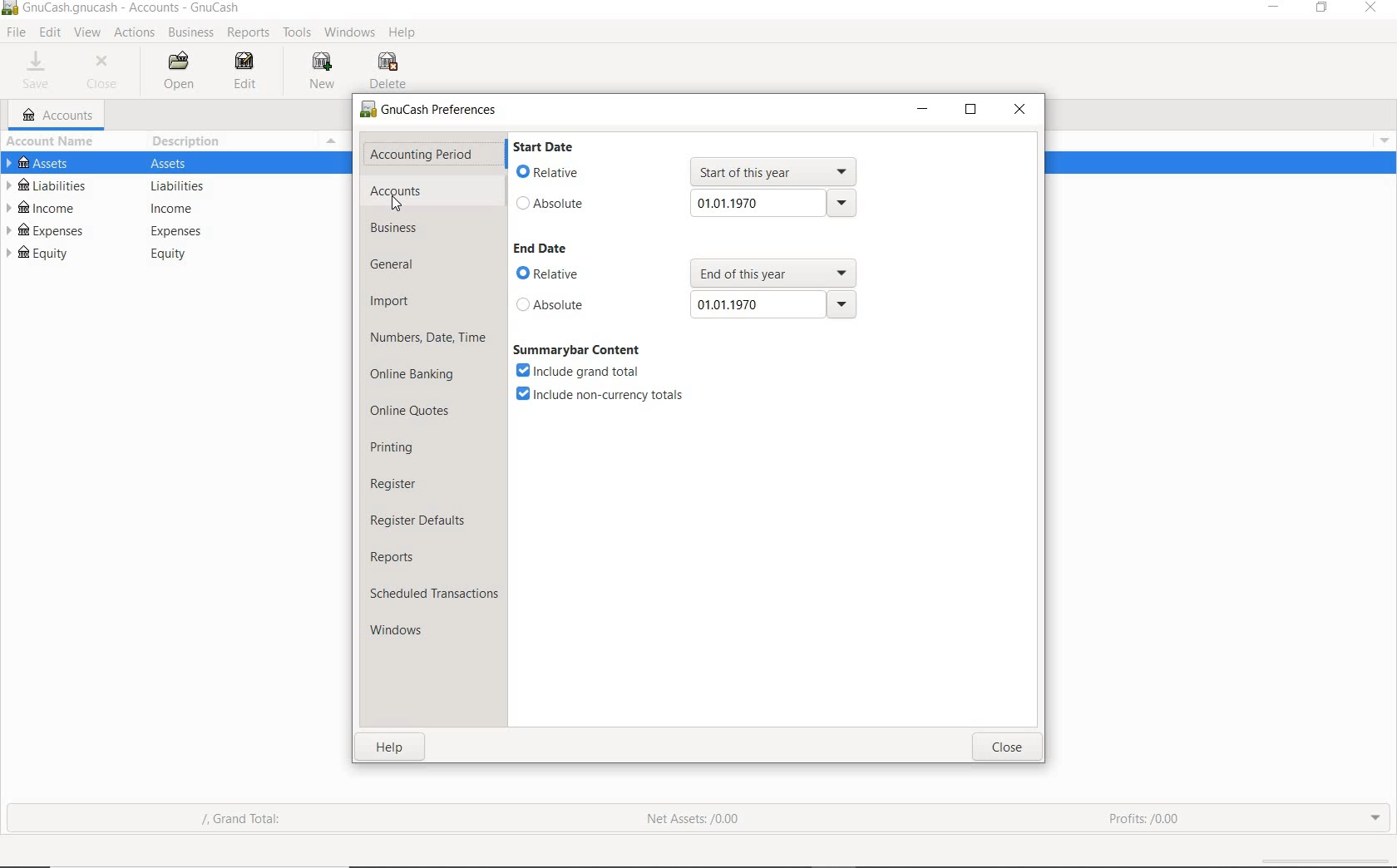  I want to click on expand, so click(1376, 818).